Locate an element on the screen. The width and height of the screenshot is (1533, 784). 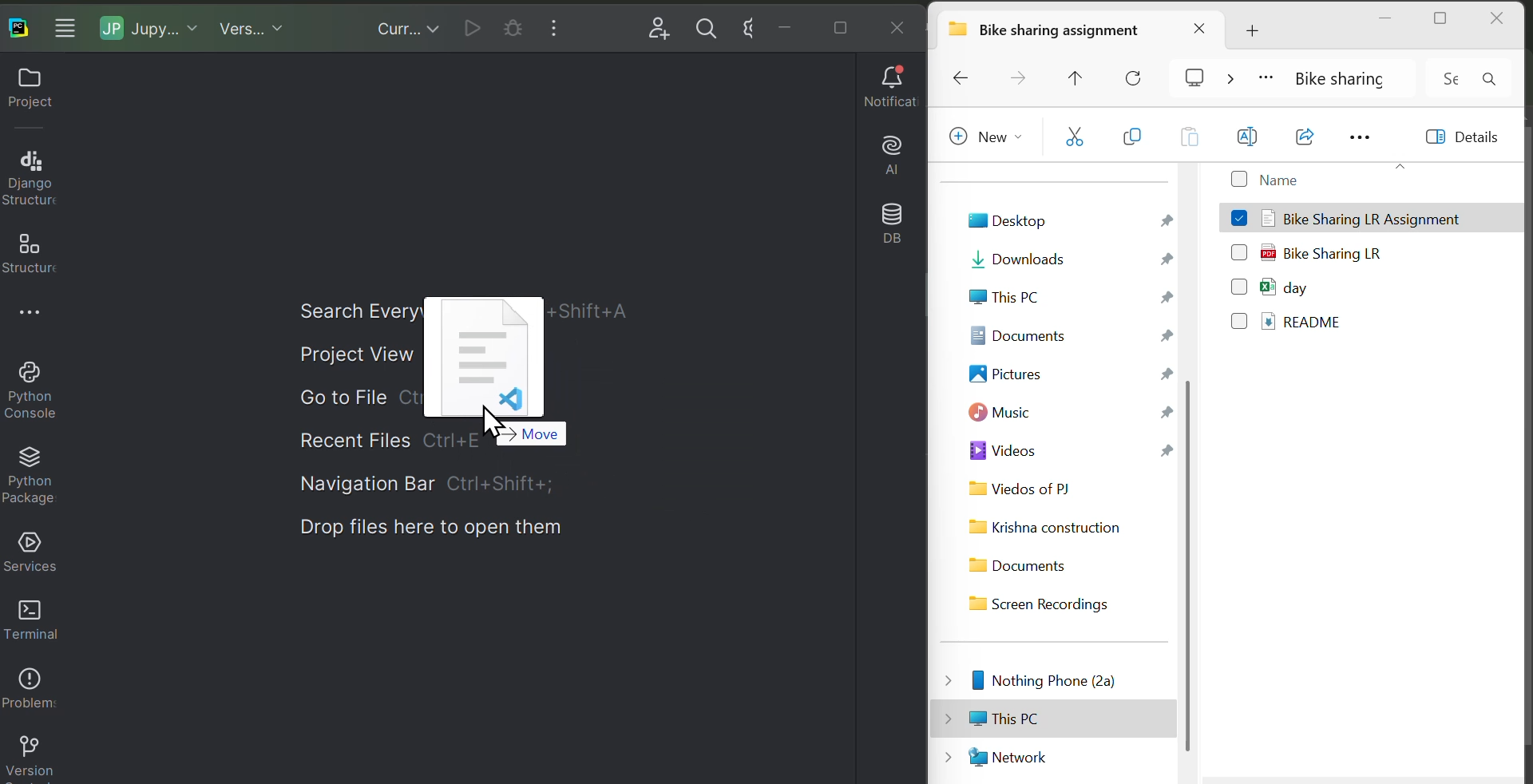
Pictures is located at coordinates (1067, 373).